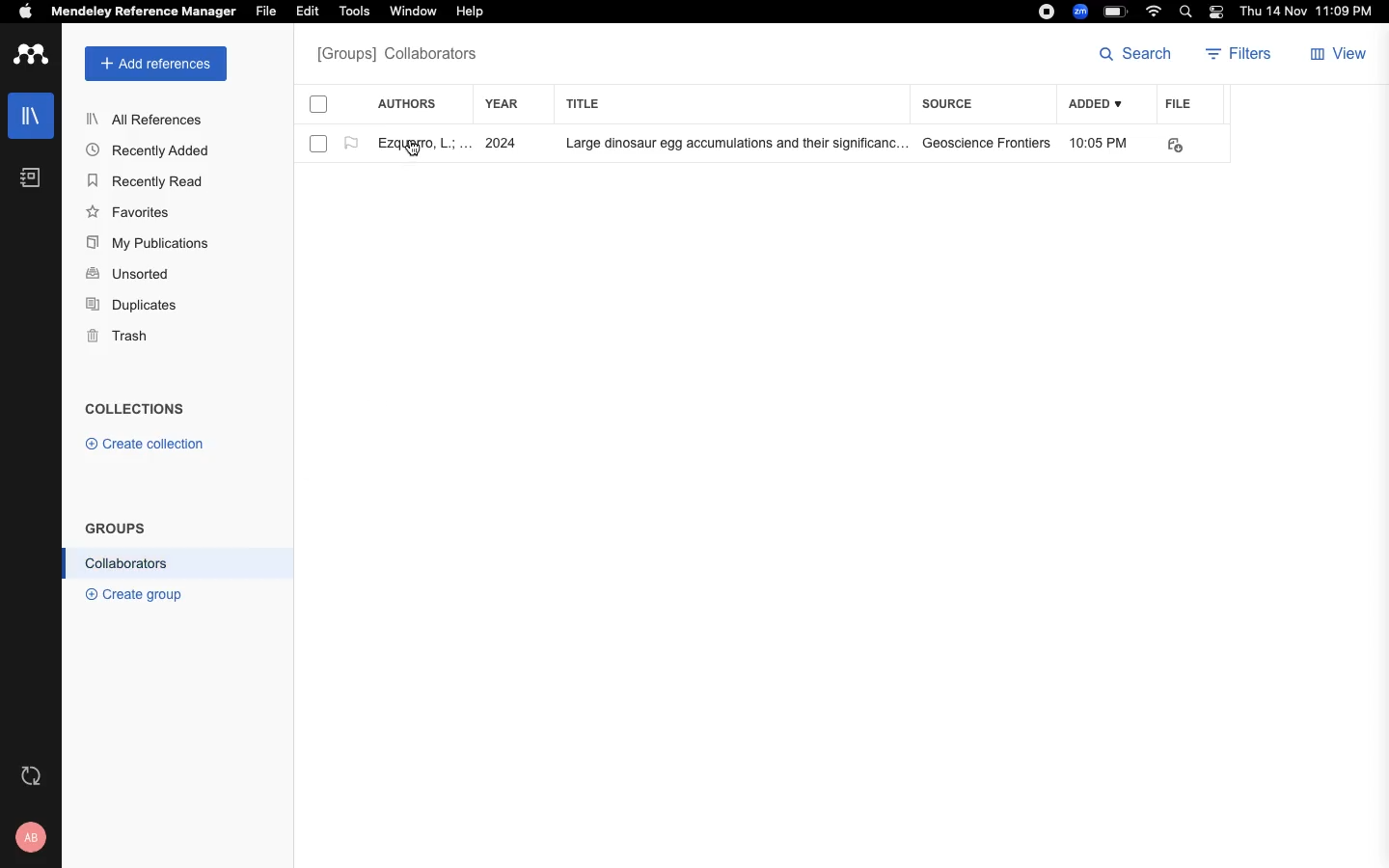  What do you see at coordinates (135, 411) in the screenshot?
I see `COLLECTIONS` at bounding box center [135, 411].